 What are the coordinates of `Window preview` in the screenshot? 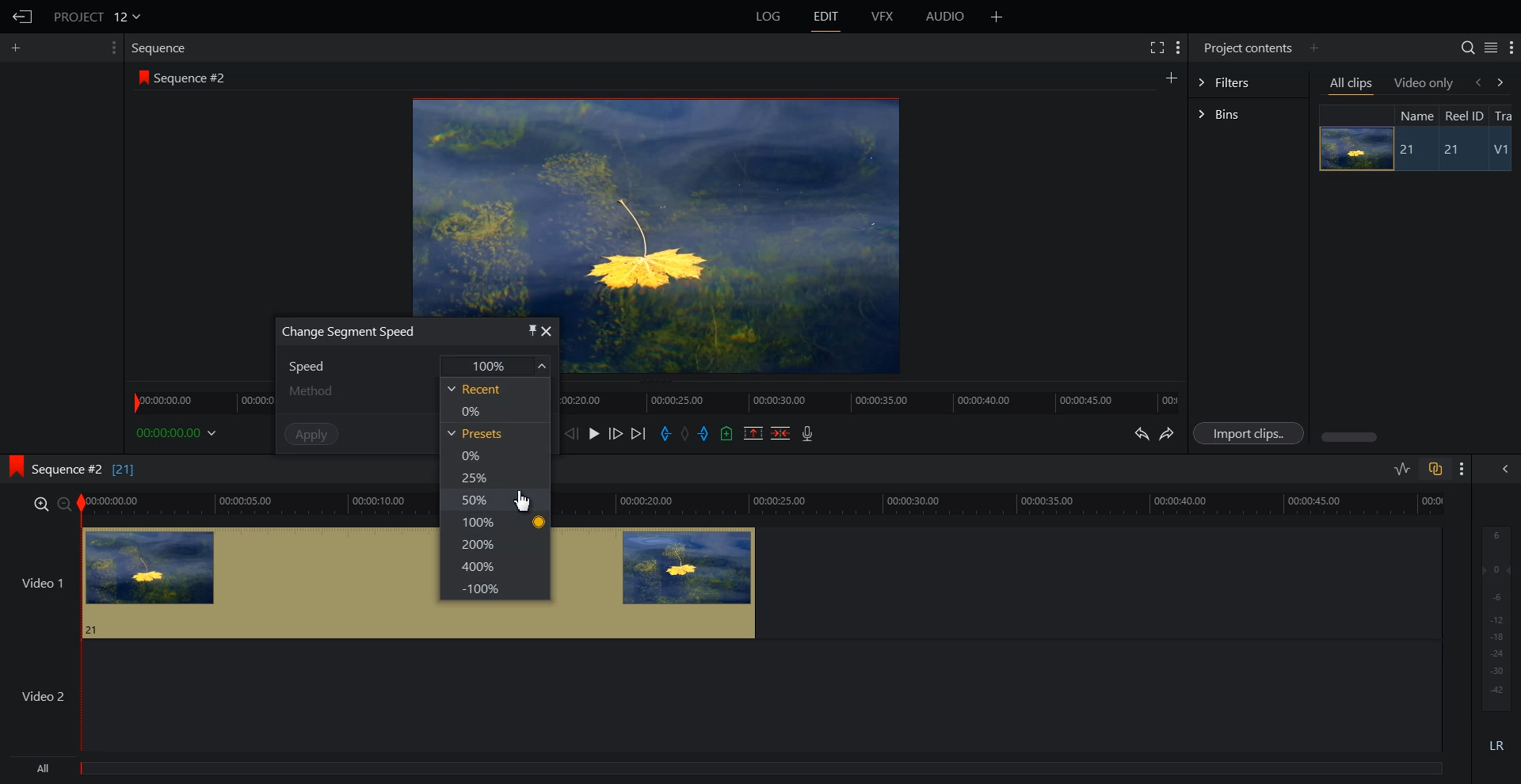 It's located at (651, 202).